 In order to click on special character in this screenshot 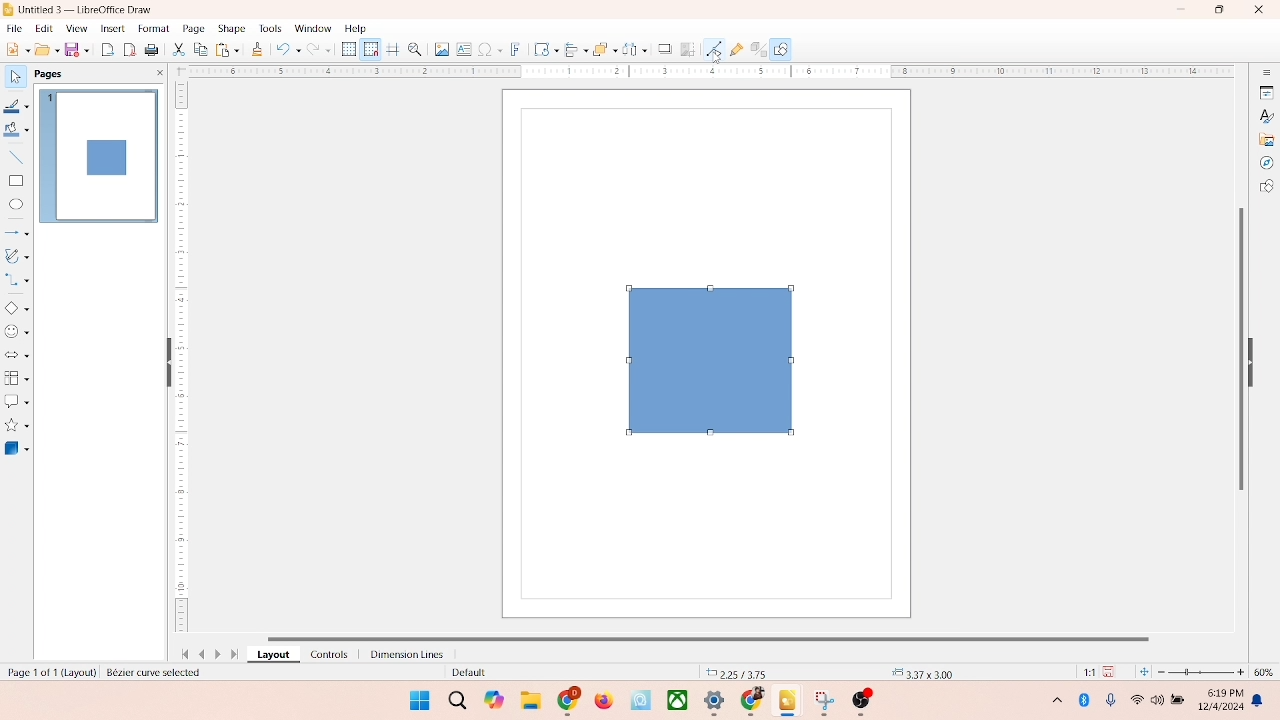, I will do `click(490, 49)`.